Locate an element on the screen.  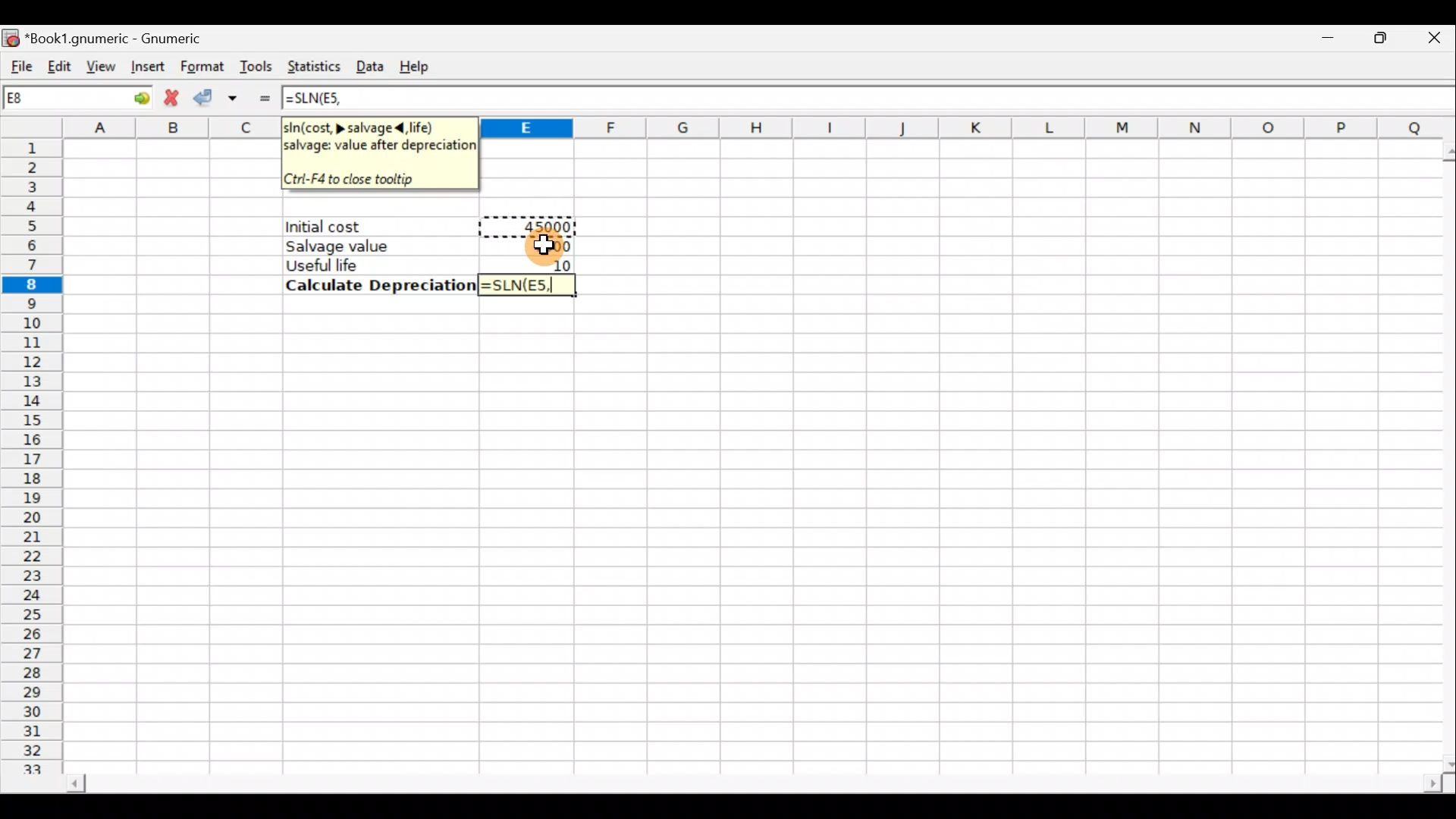
Formula bar is located at coordinates (918, 99).